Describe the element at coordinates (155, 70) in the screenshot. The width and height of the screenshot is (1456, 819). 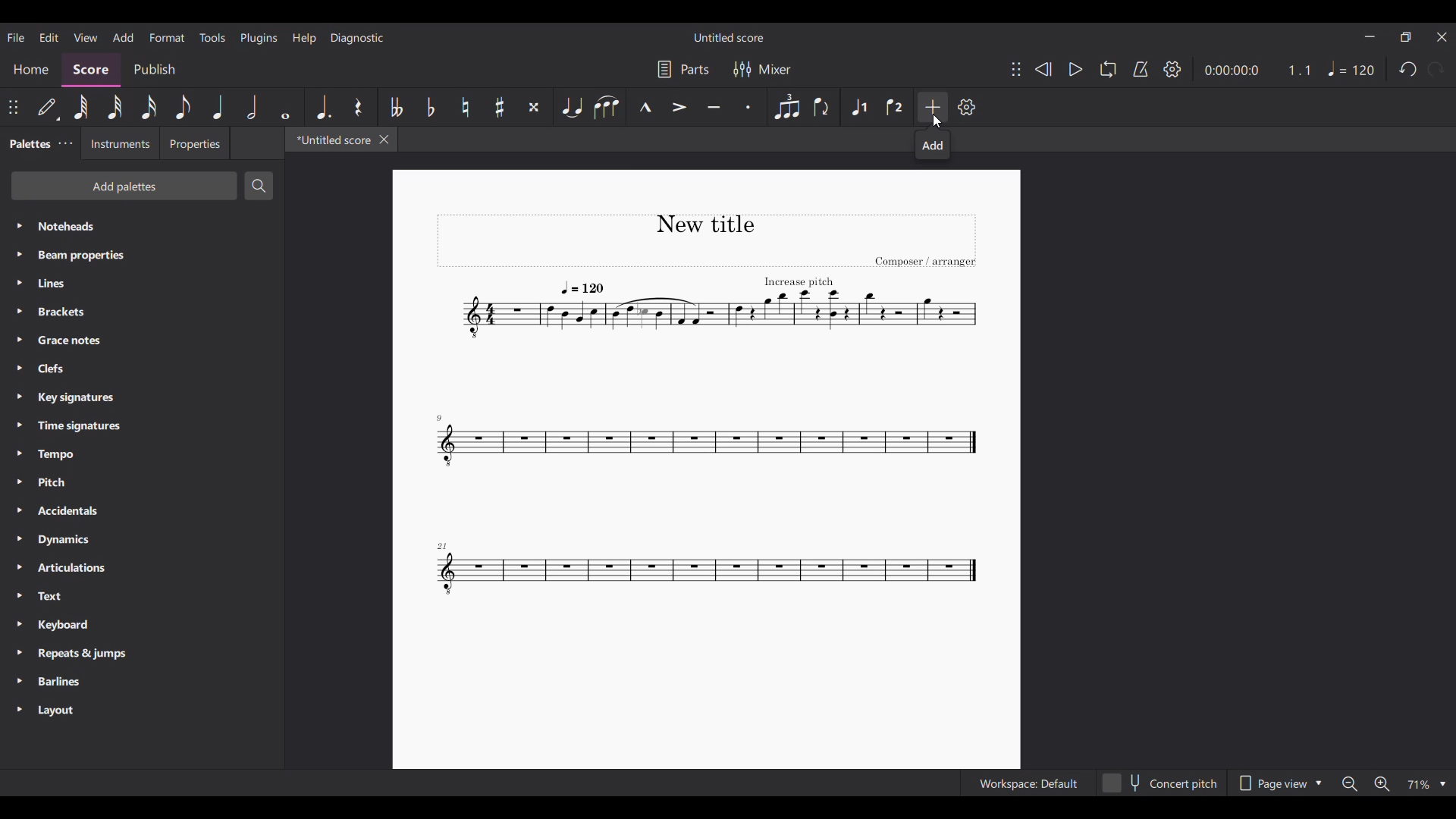
I see `Publish section` at that location.